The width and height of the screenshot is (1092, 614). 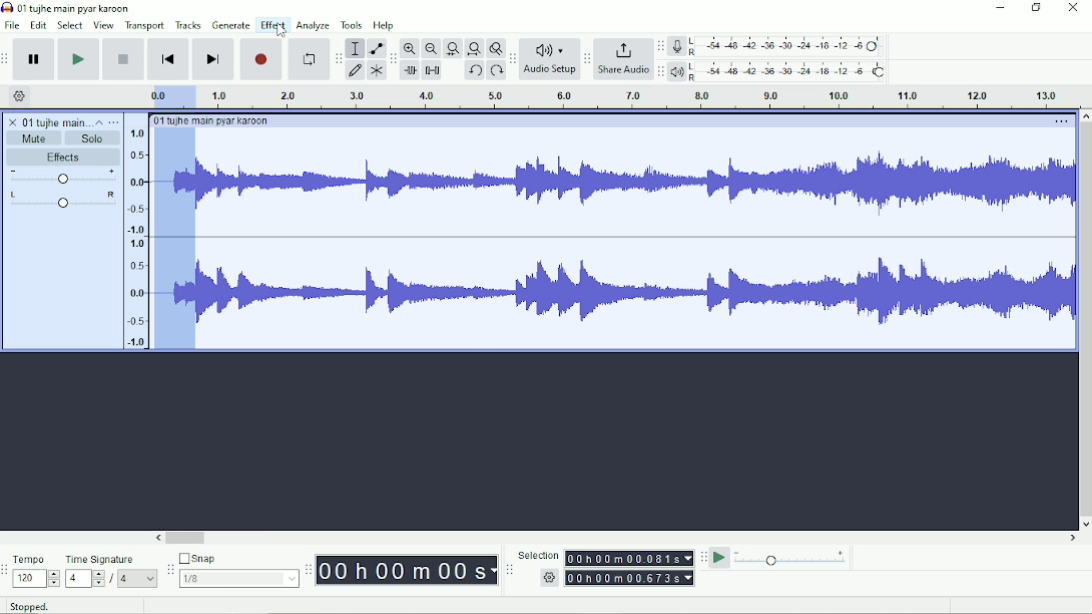 What do you see at coordinates (393, 60) in the screenshot?
I see `Audacity edit toolbar` at bounding box center [393, 60].